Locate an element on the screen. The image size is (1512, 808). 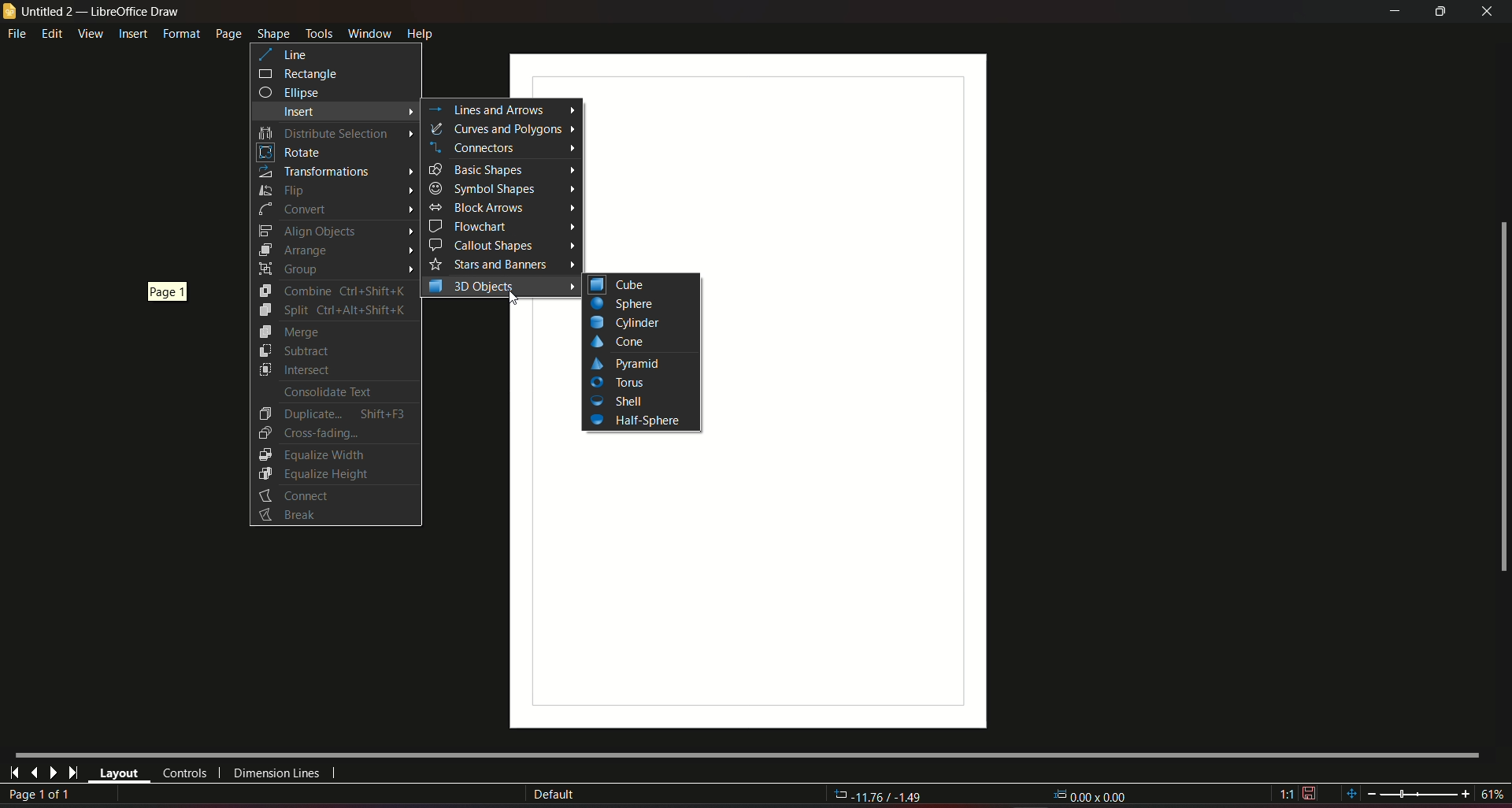
curves and polygons is located at coordinates (495, 129).